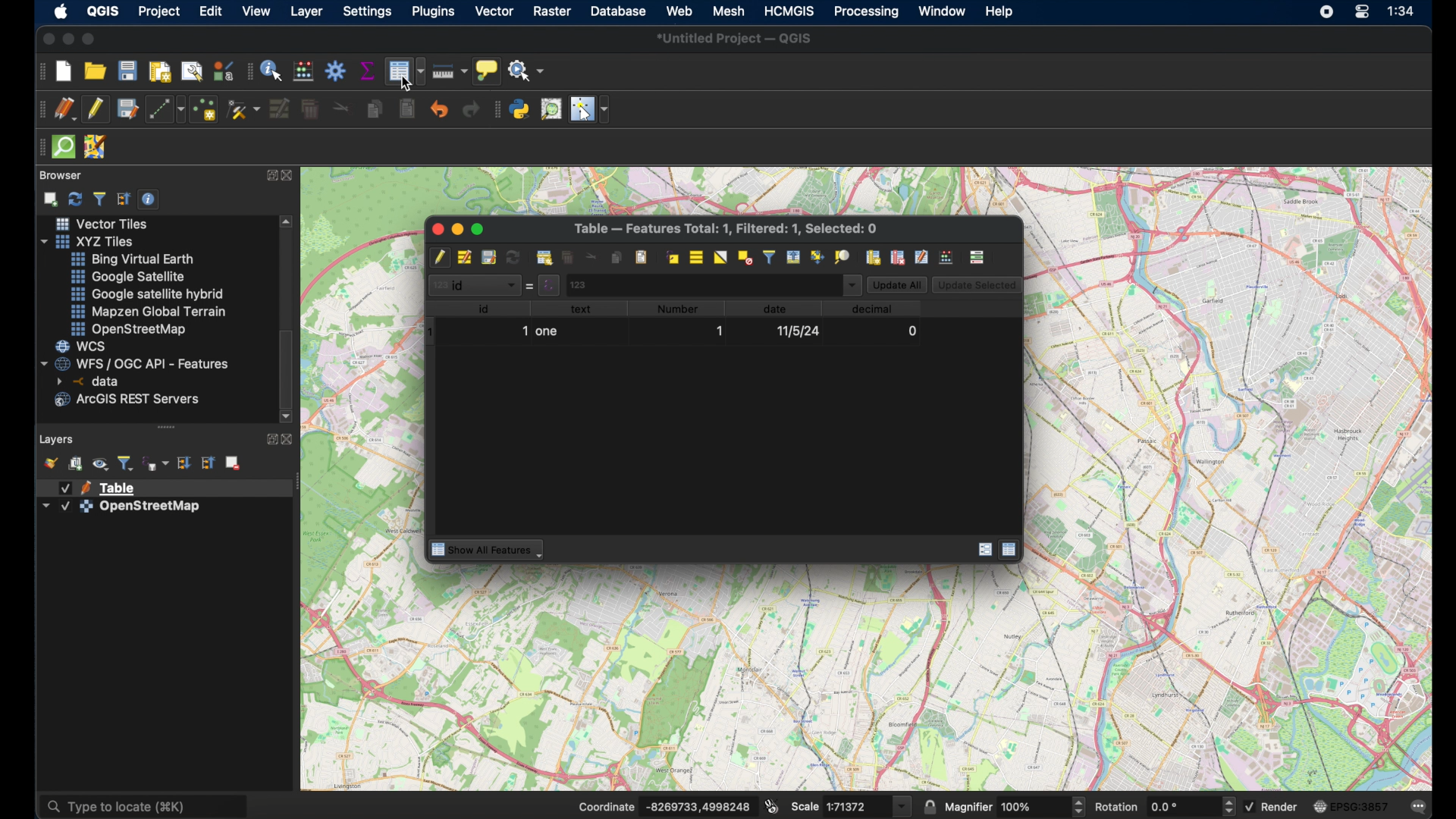 The height and width of the screenshot is (819, 1456). What do you see at coordinates (855, 806) in the screenshot?
I see `scale value` at bounding box center [855, 806].